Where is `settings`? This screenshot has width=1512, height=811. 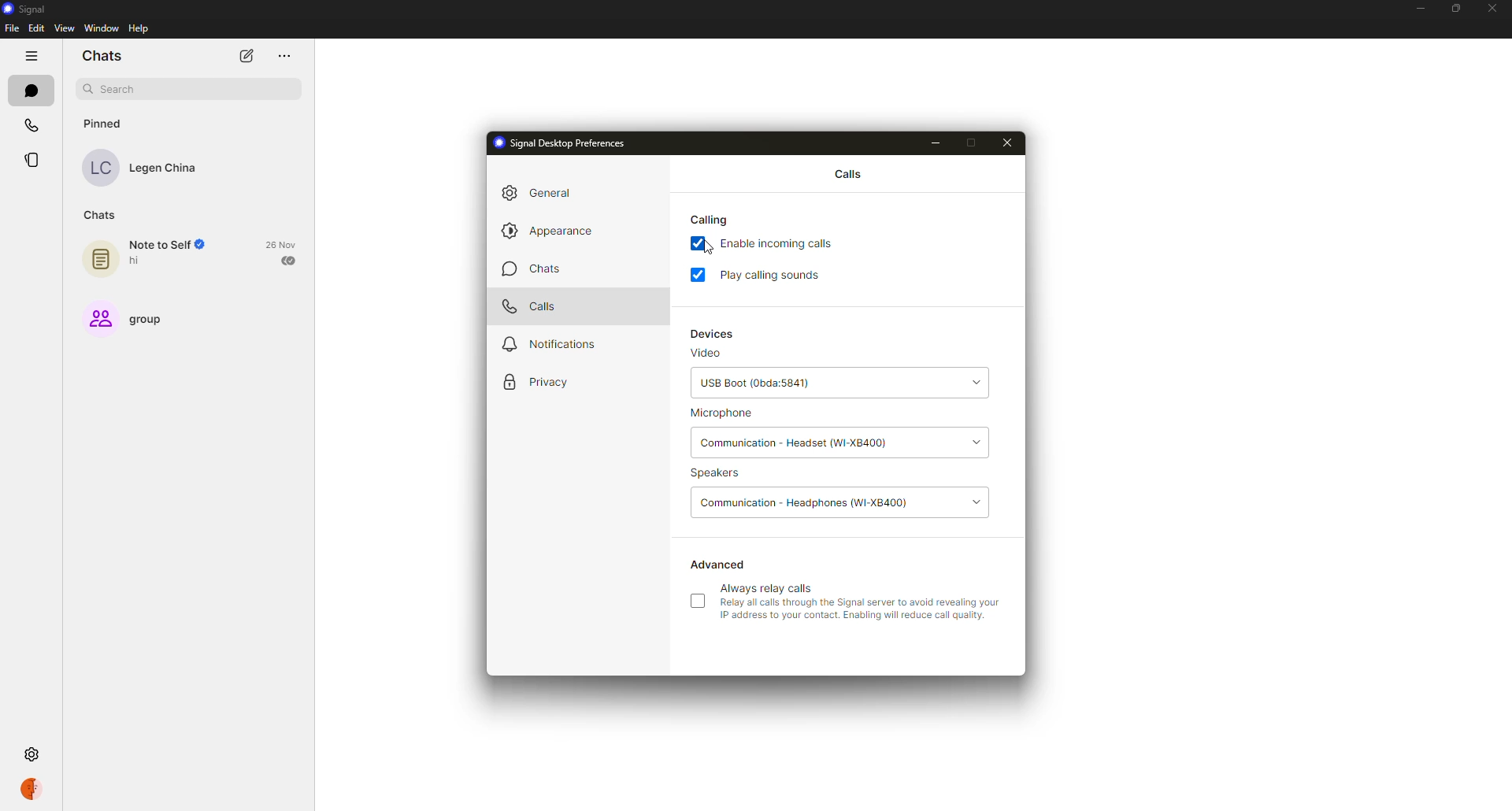
settings is located at coordinates (33, 754).